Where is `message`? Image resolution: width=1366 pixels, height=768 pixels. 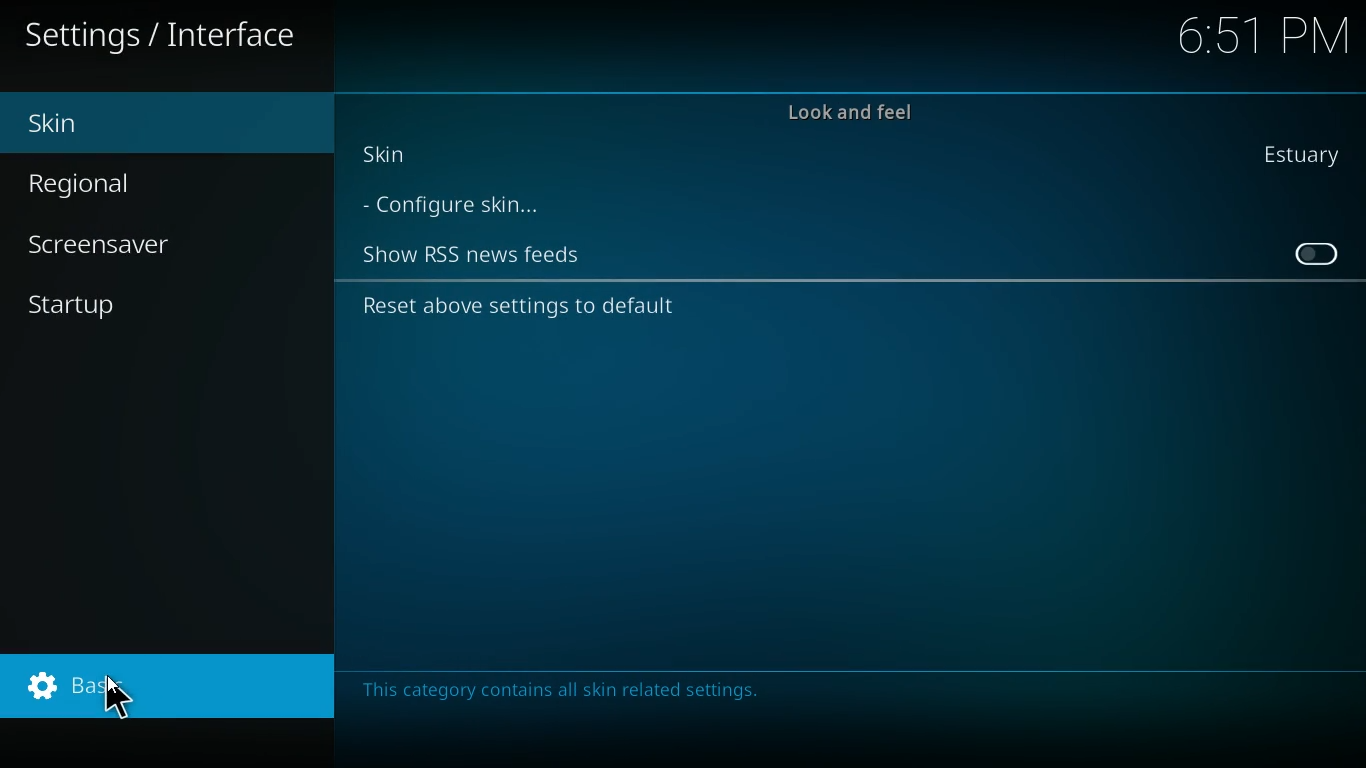
message is located at coordinates (571, 690).